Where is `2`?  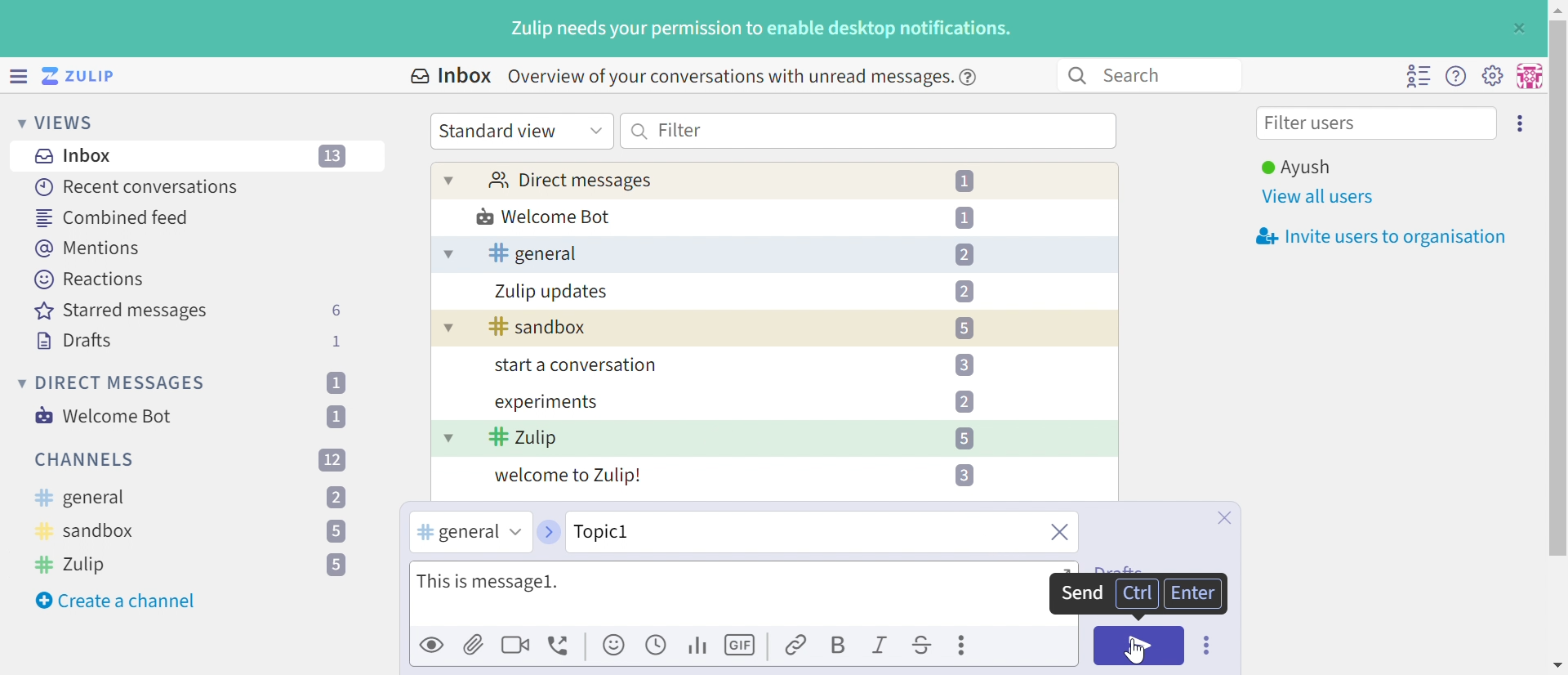
2 is located at coordinates (964, 401).